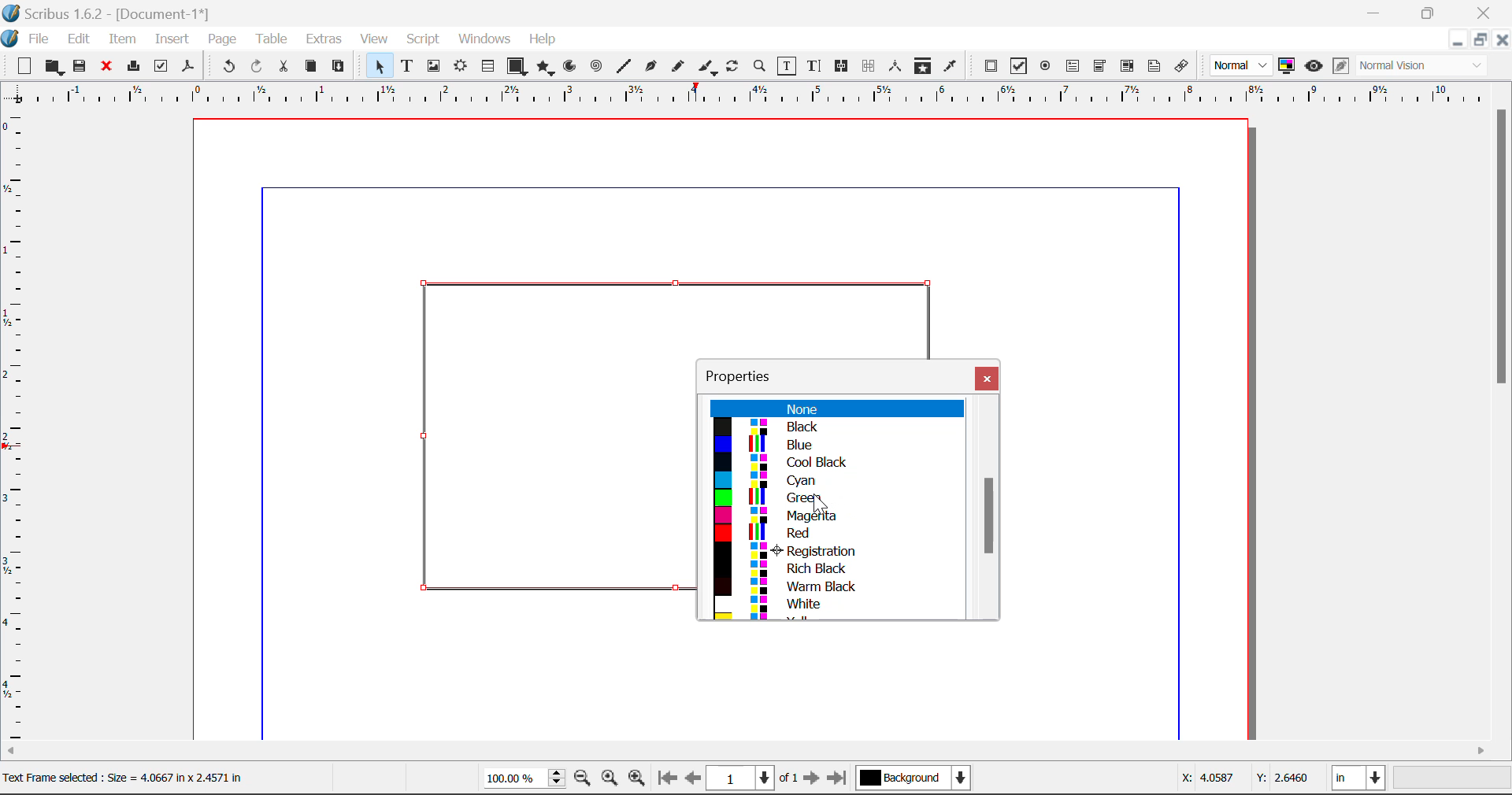  I want to click on Registration, so click(833, 550).